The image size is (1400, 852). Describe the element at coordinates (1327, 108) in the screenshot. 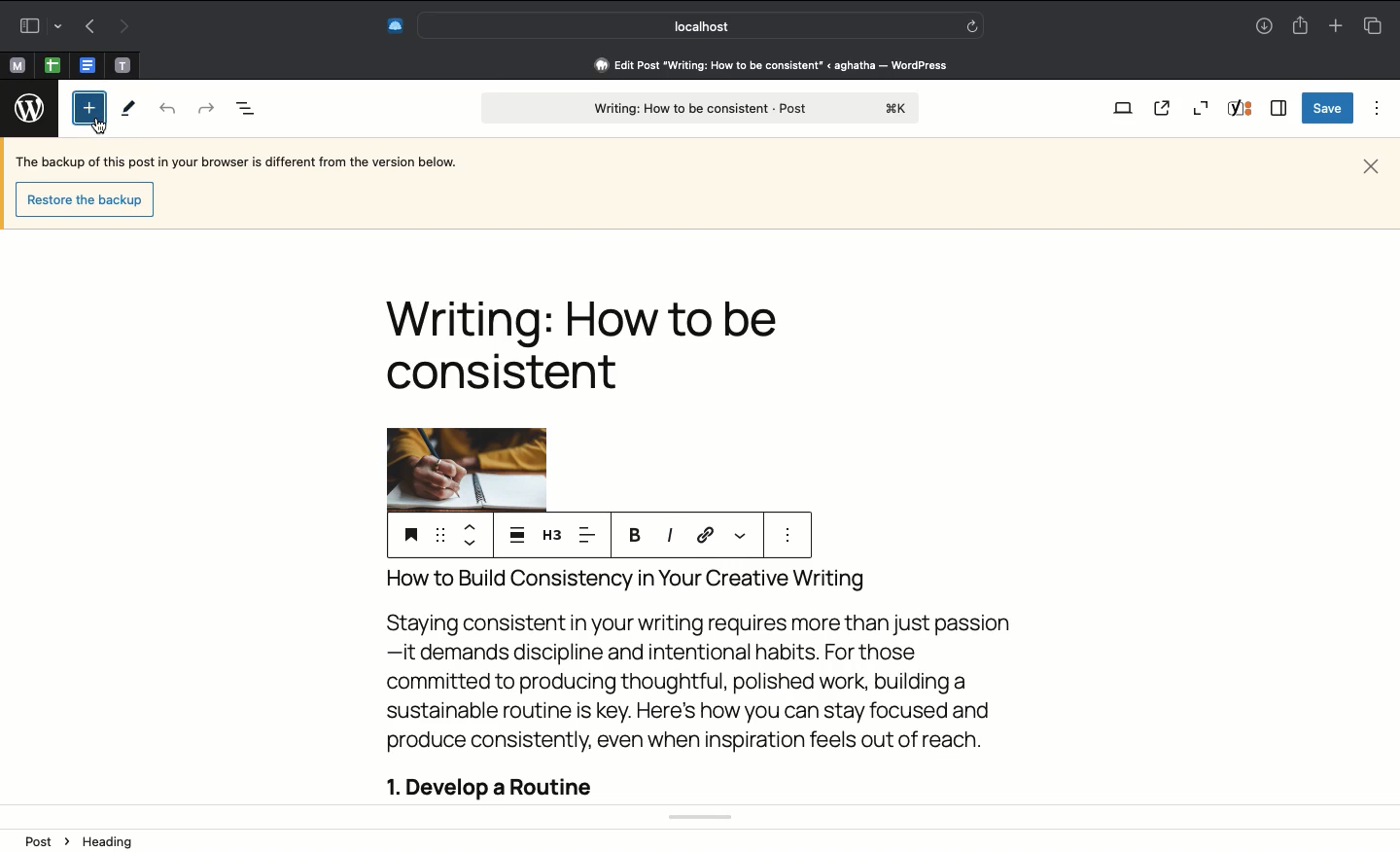

I see `Save` at that location.